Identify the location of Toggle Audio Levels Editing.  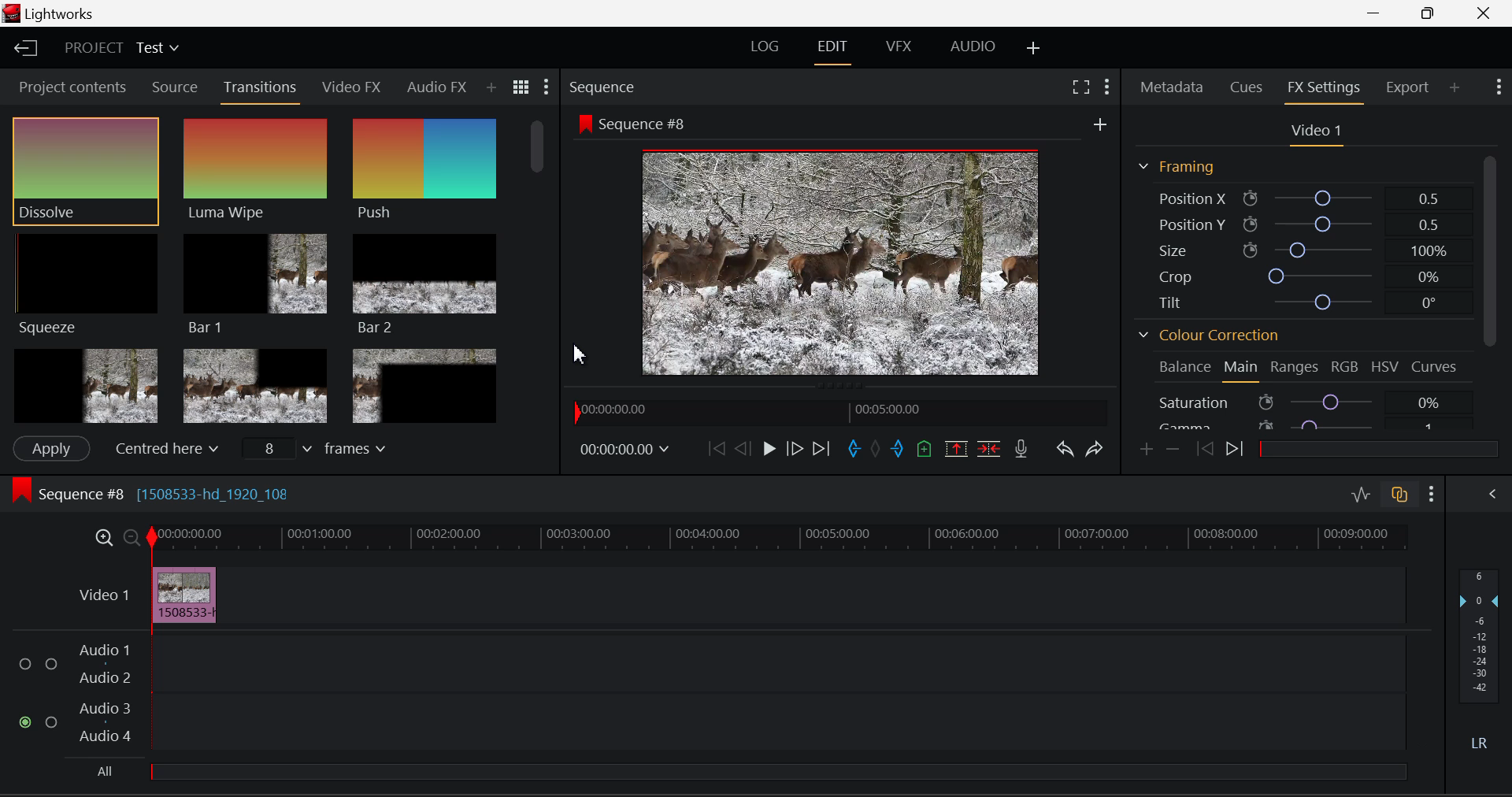
(1361, 494).